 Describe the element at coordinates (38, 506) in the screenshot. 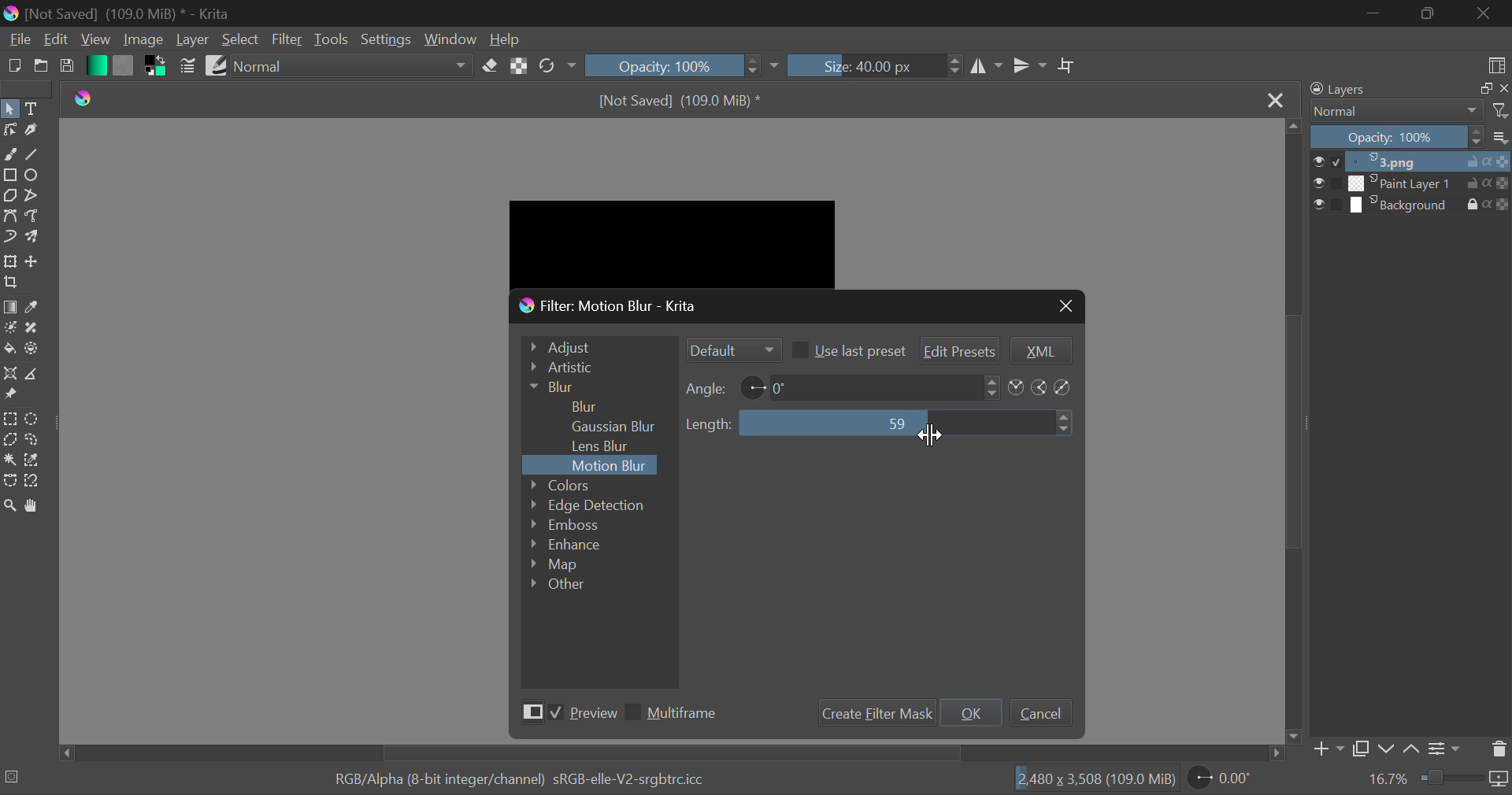

I see `Pan` at that location.